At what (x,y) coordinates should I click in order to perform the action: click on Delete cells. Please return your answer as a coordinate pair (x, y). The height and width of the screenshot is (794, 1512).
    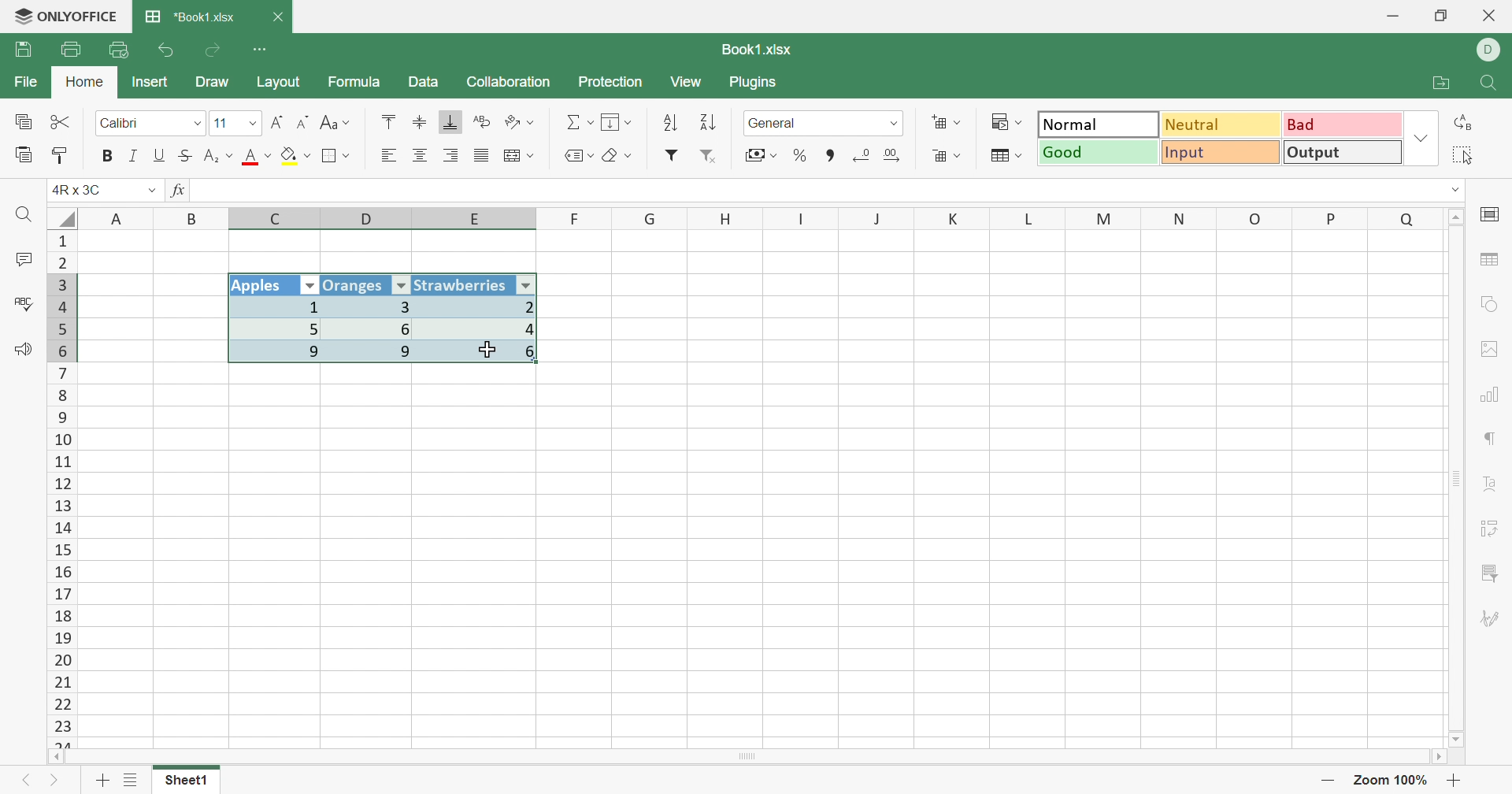
    Looking at the image, I should click on (944, 158).